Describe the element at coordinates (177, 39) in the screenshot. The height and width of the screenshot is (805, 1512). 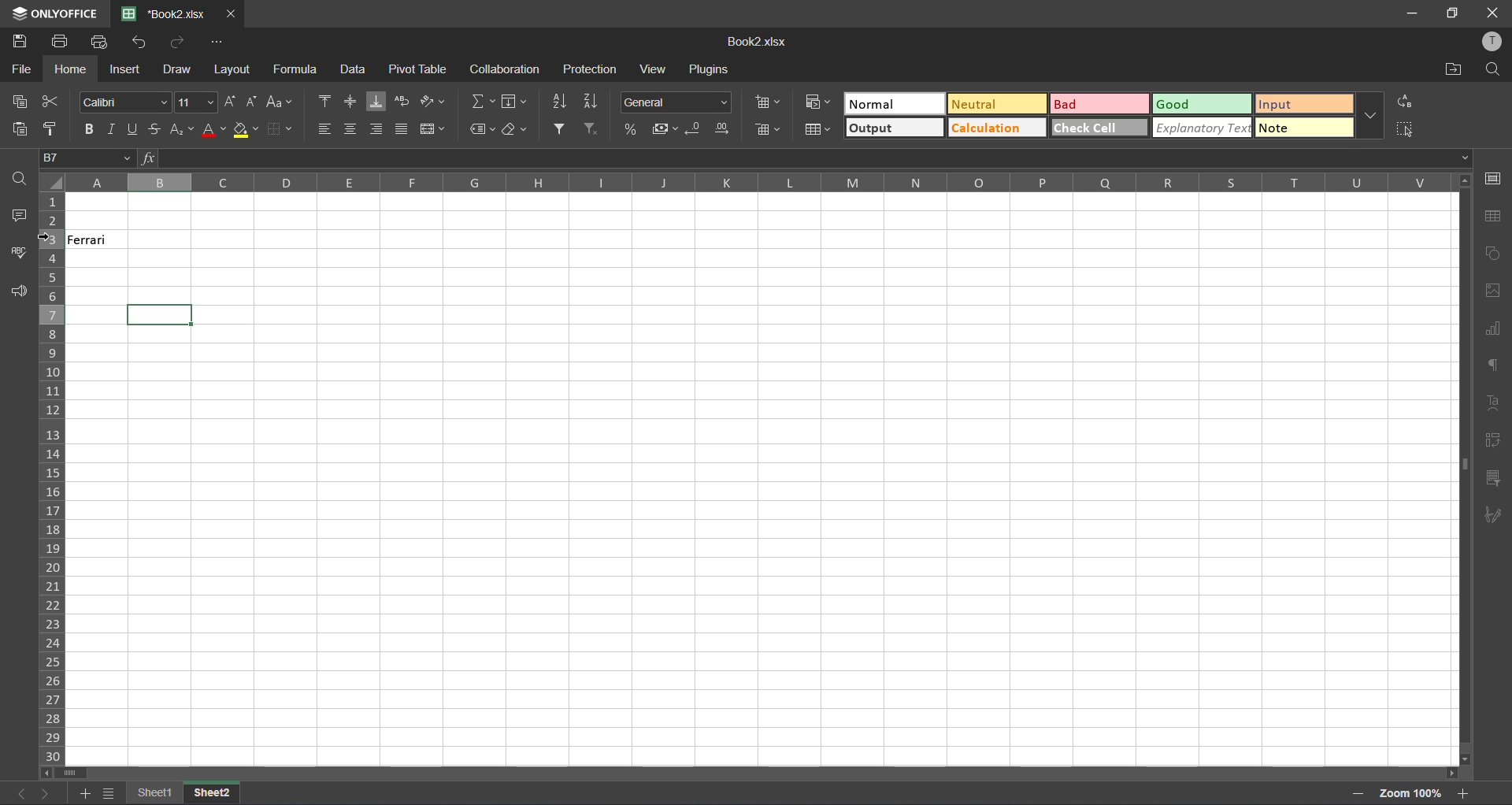
I see `redo` at that location.